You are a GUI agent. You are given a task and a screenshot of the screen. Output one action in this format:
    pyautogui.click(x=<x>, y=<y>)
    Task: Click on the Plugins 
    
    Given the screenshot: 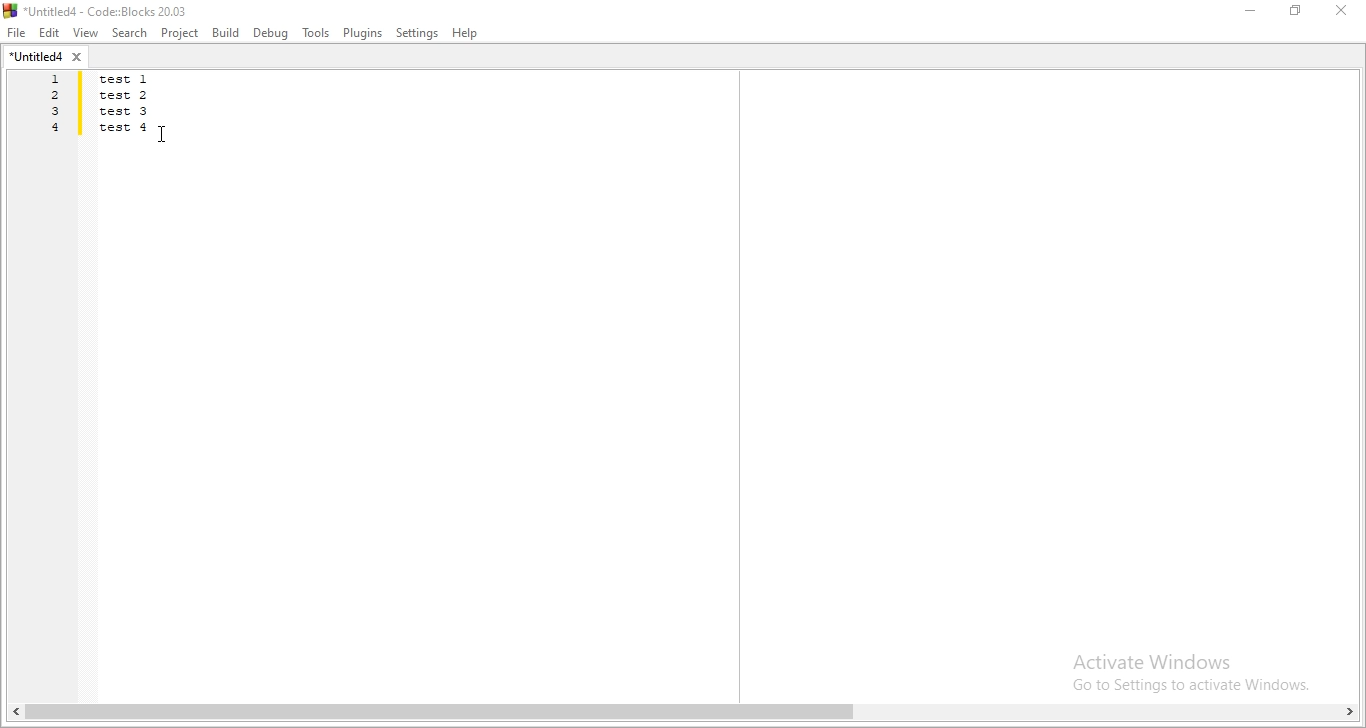 What is the action you would take?
    pyautogui.click(x=363, y=33)
    